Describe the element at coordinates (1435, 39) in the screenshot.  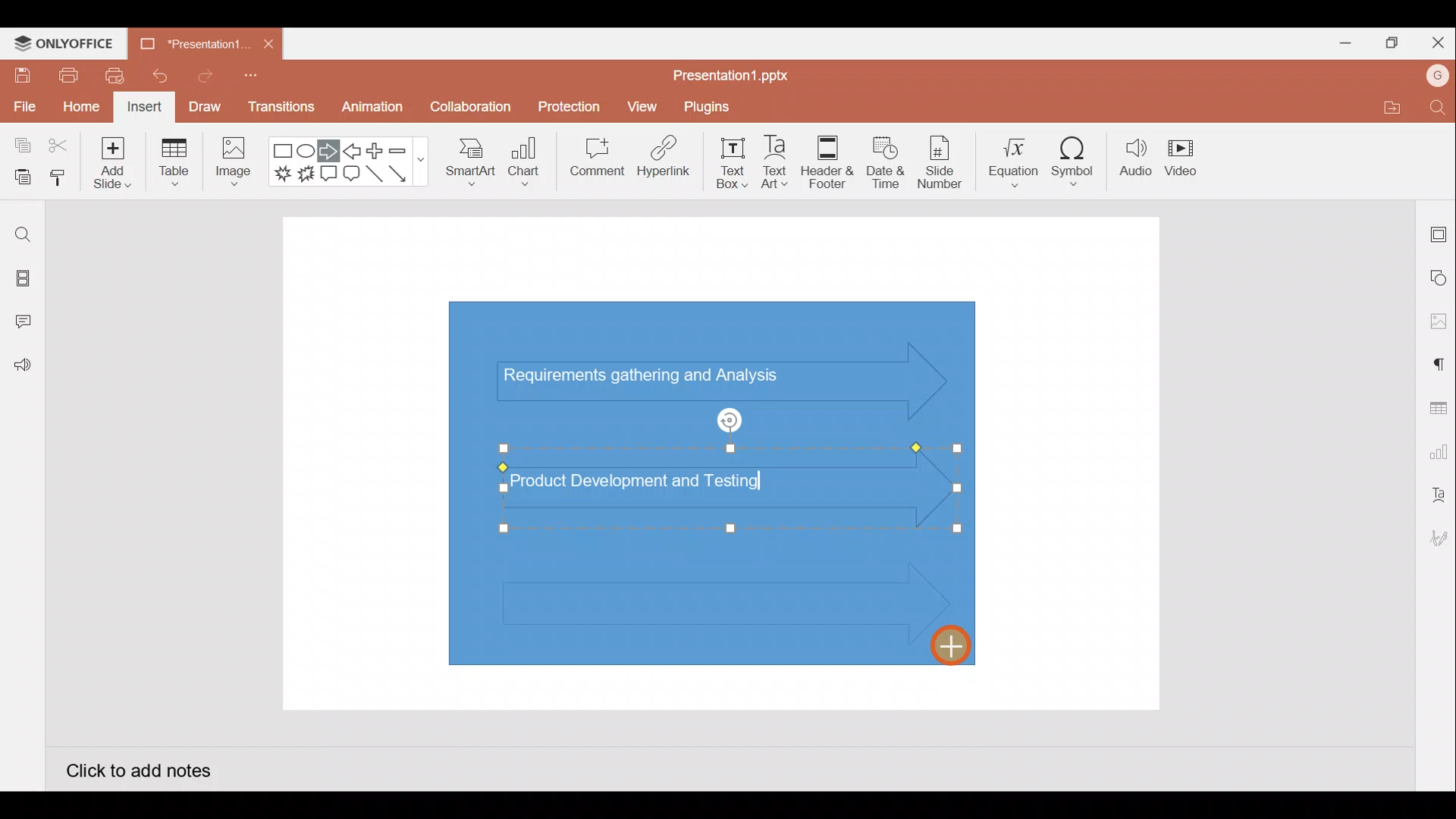
I see `Close` at that location.